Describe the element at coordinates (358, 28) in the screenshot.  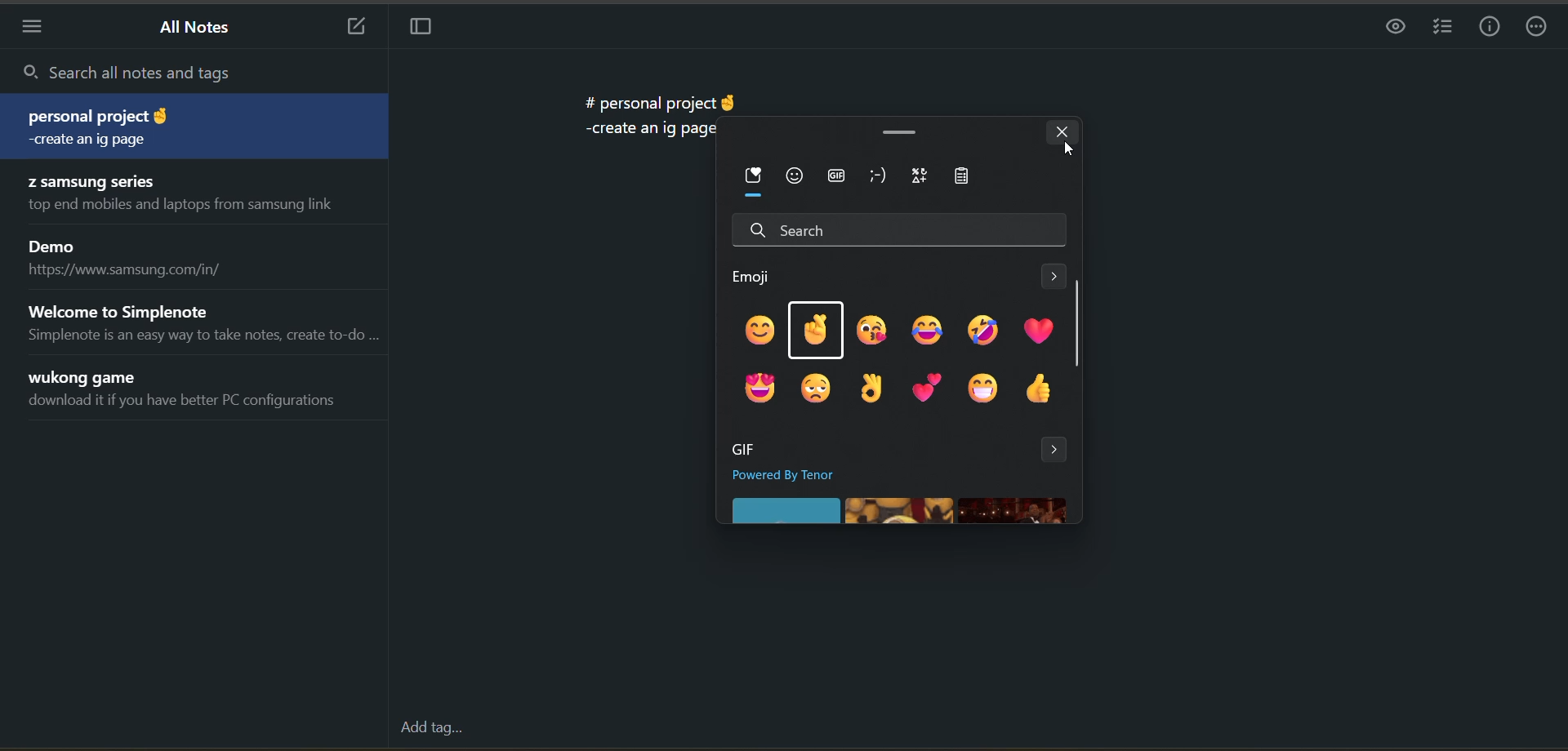
I see `new note` at that location.